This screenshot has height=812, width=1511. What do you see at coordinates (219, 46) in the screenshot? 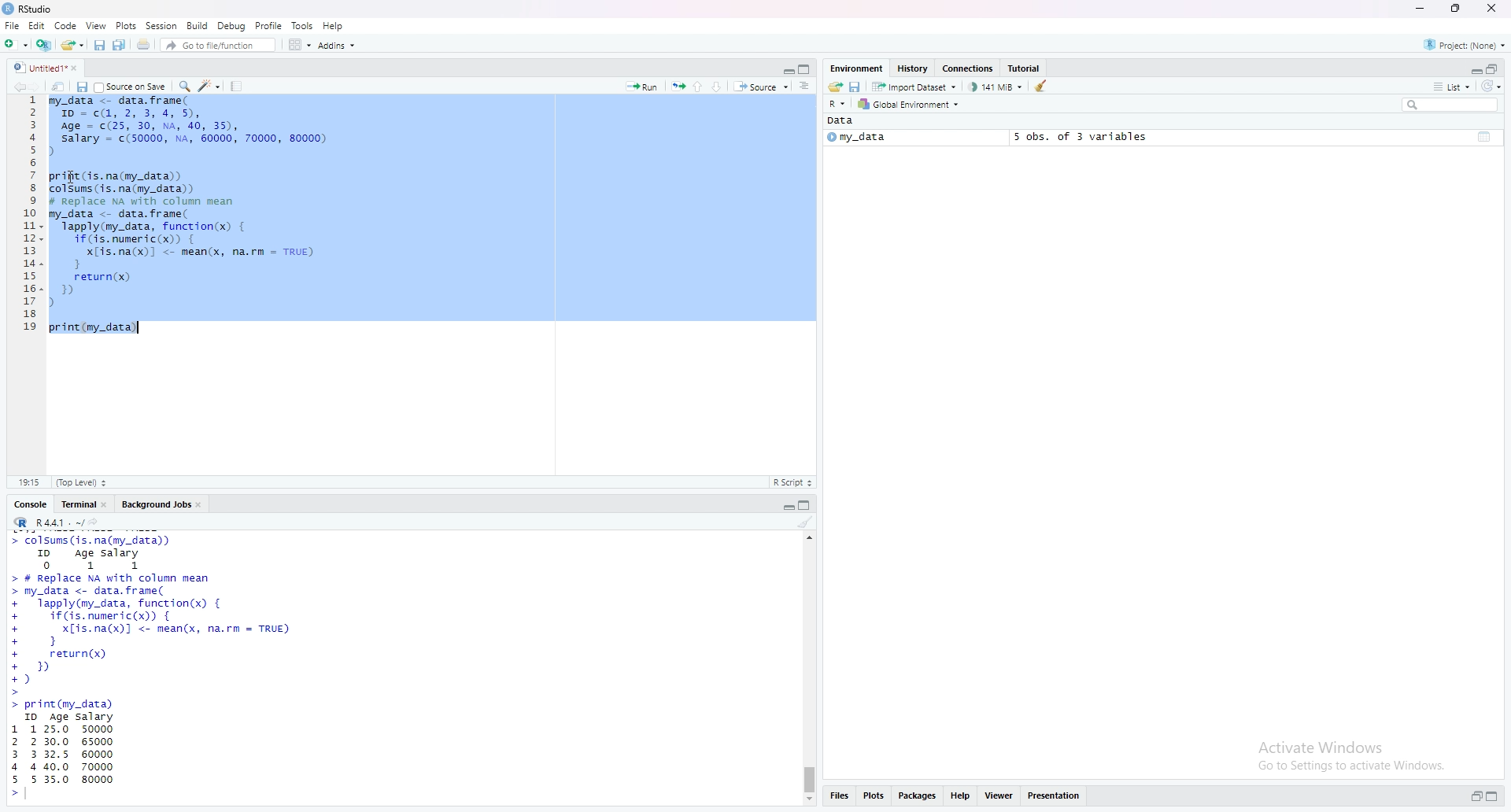
I see `Go to file/function` at bounding box center [219, 46].